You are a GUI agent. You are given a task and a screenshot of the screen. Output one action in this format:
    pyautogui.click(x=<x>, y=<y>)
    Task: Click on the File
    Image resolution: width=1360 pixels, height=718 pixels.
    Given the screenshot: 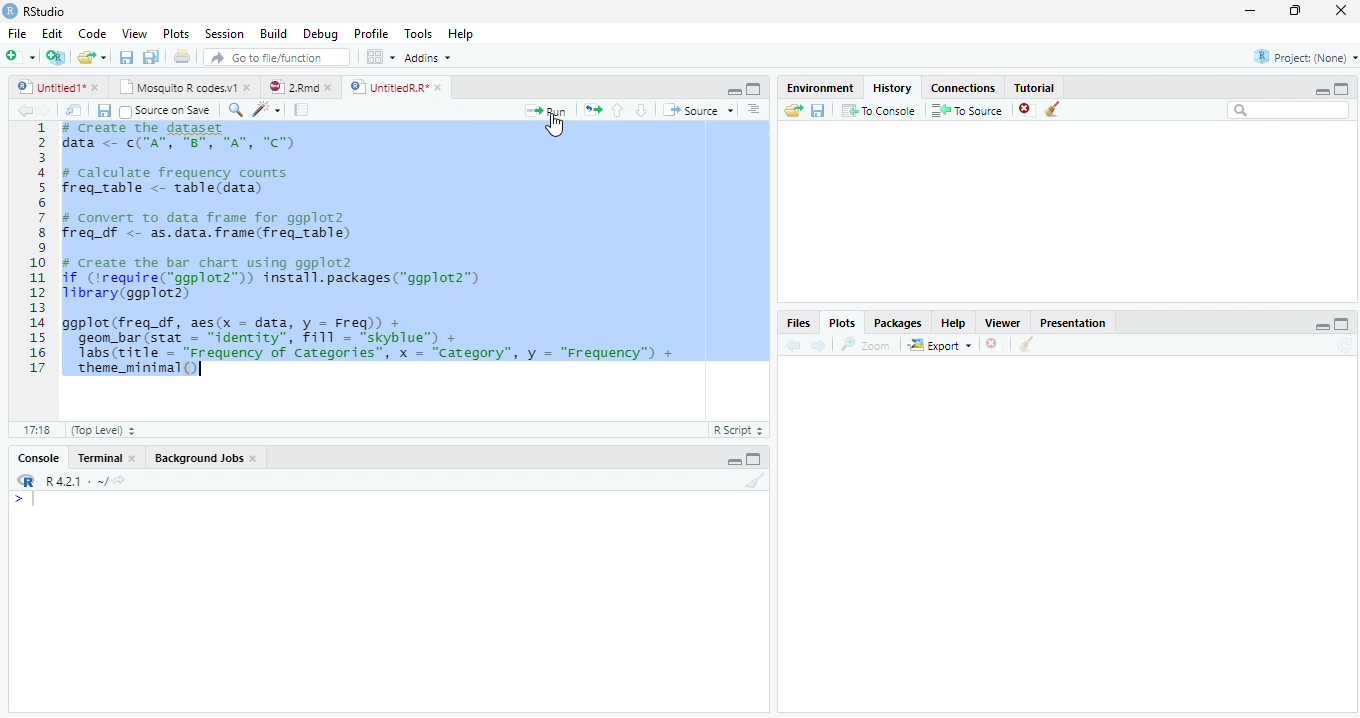 What is the action you would take?
    pyautogui.click(x=14, y=34)
    